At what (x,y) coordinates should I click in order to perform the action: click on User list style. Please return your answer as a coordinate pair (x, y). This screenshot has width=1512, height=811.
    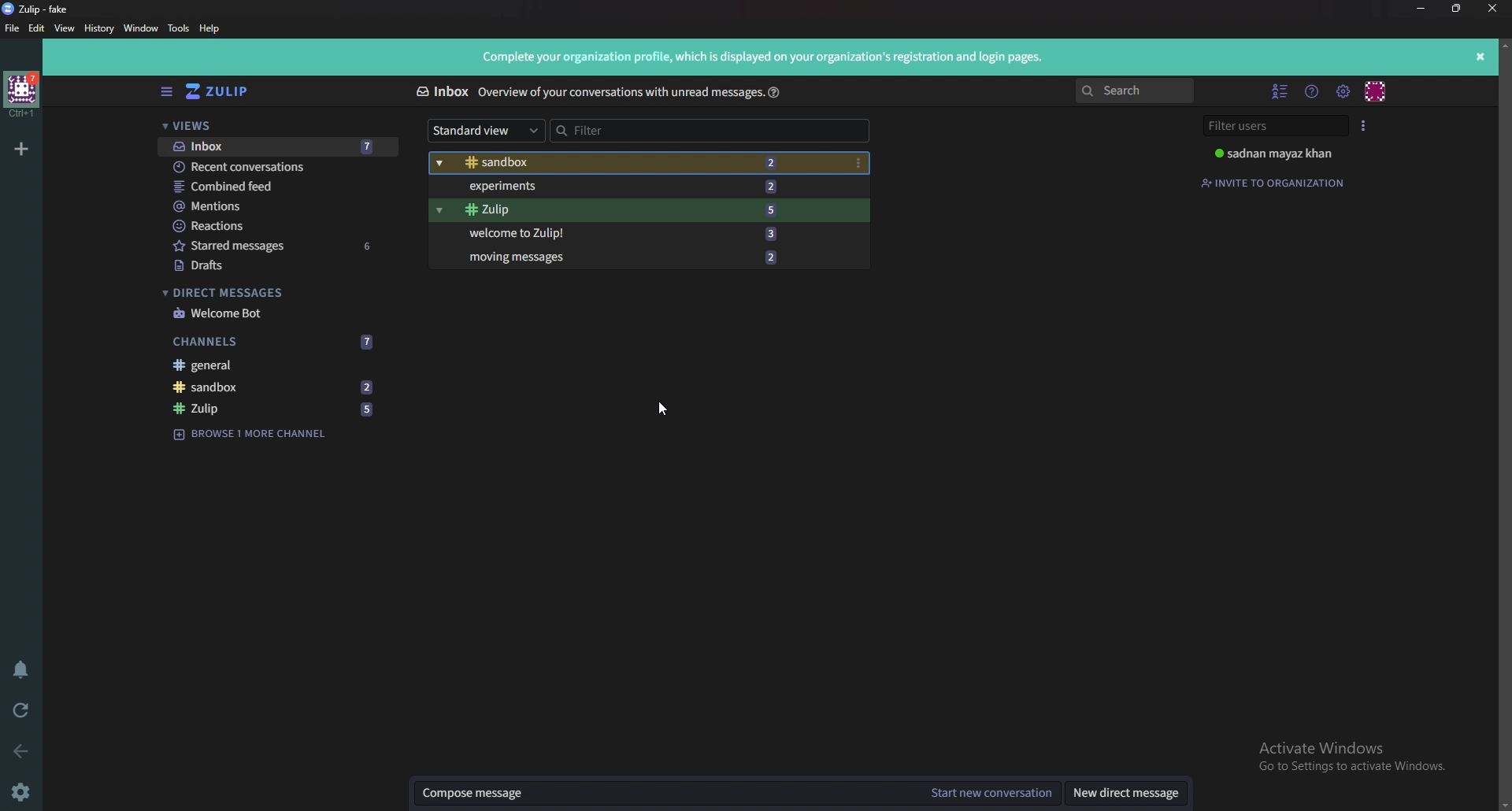
    Looking at the image, I should click on (1364, 124).